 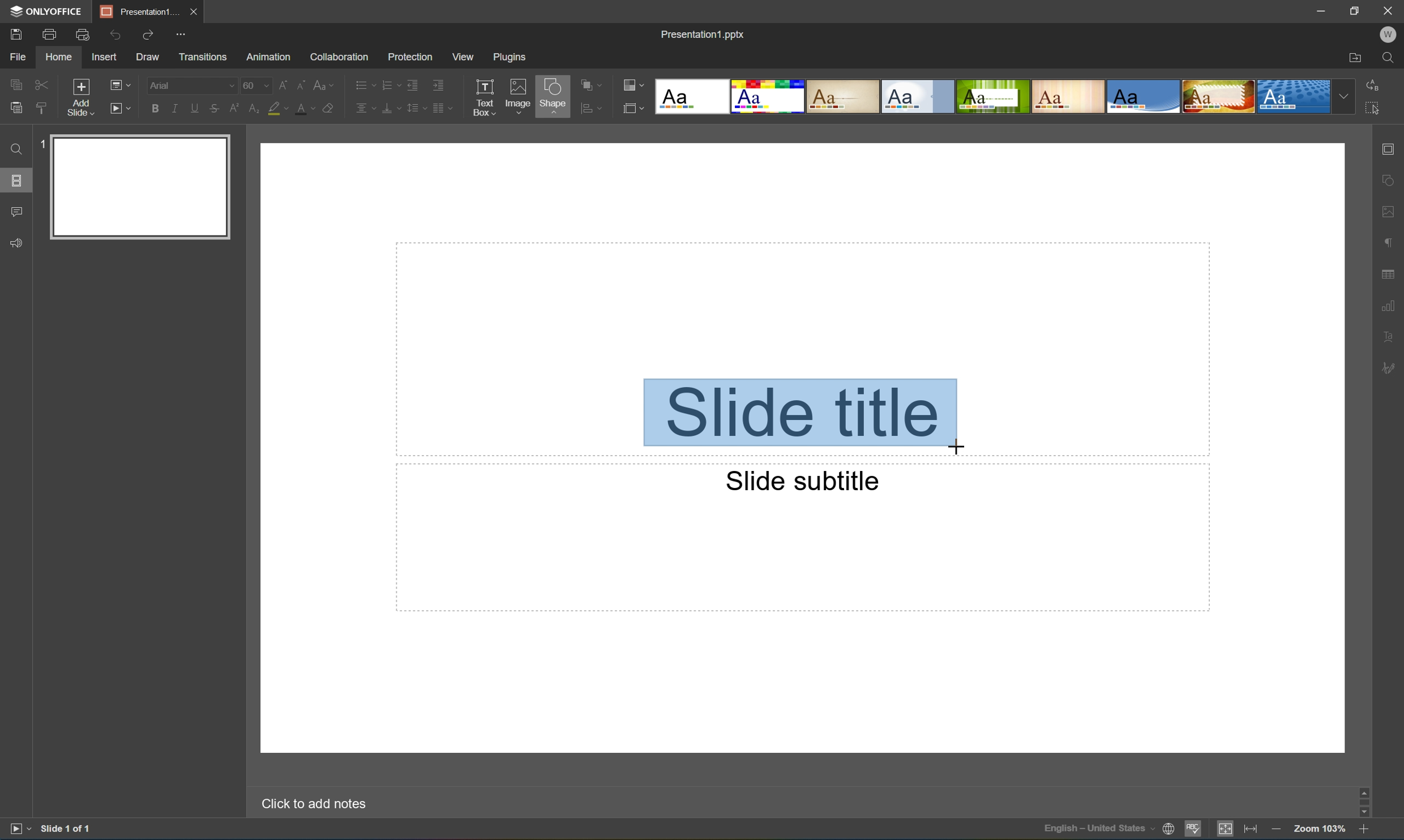 What do you see at coordinates (106, 58) in the screenshot?
I see `Insert` at bounding box center [106, 58].